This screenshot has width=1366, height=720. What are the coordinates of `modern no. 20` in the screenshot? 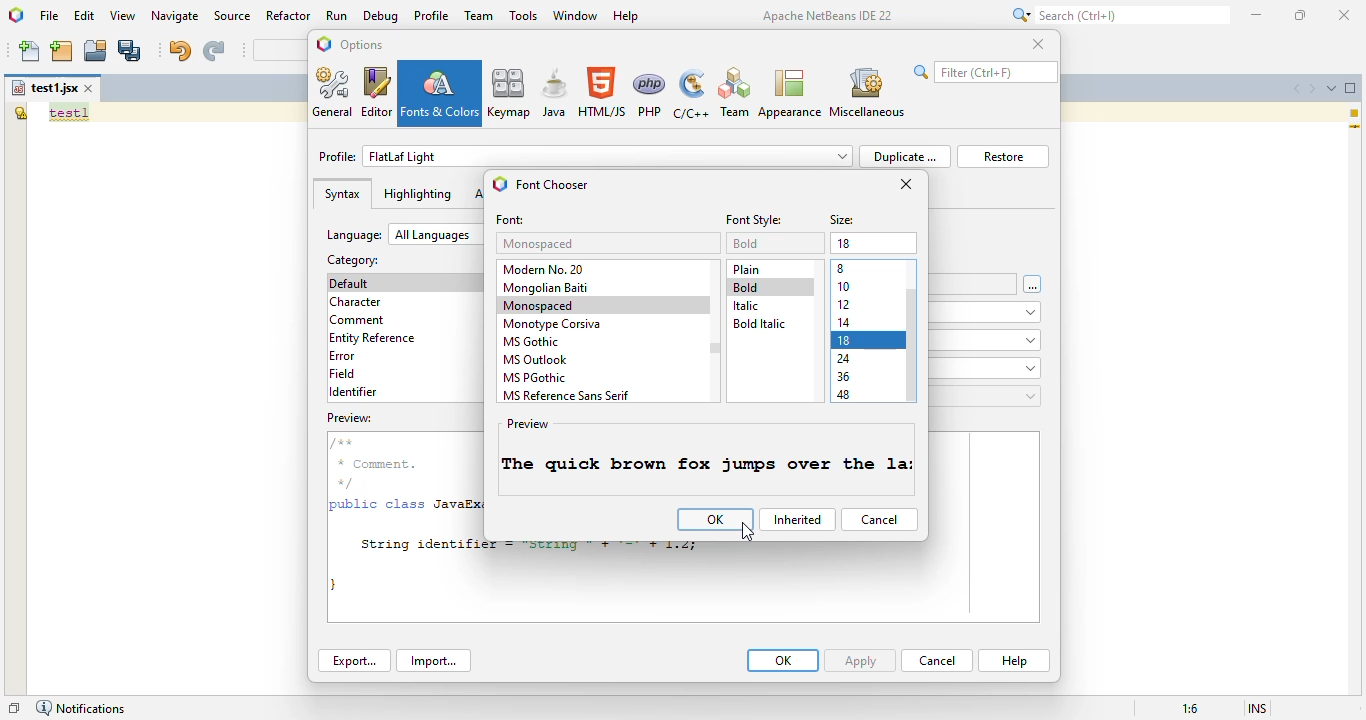 It's located at (547, 268).